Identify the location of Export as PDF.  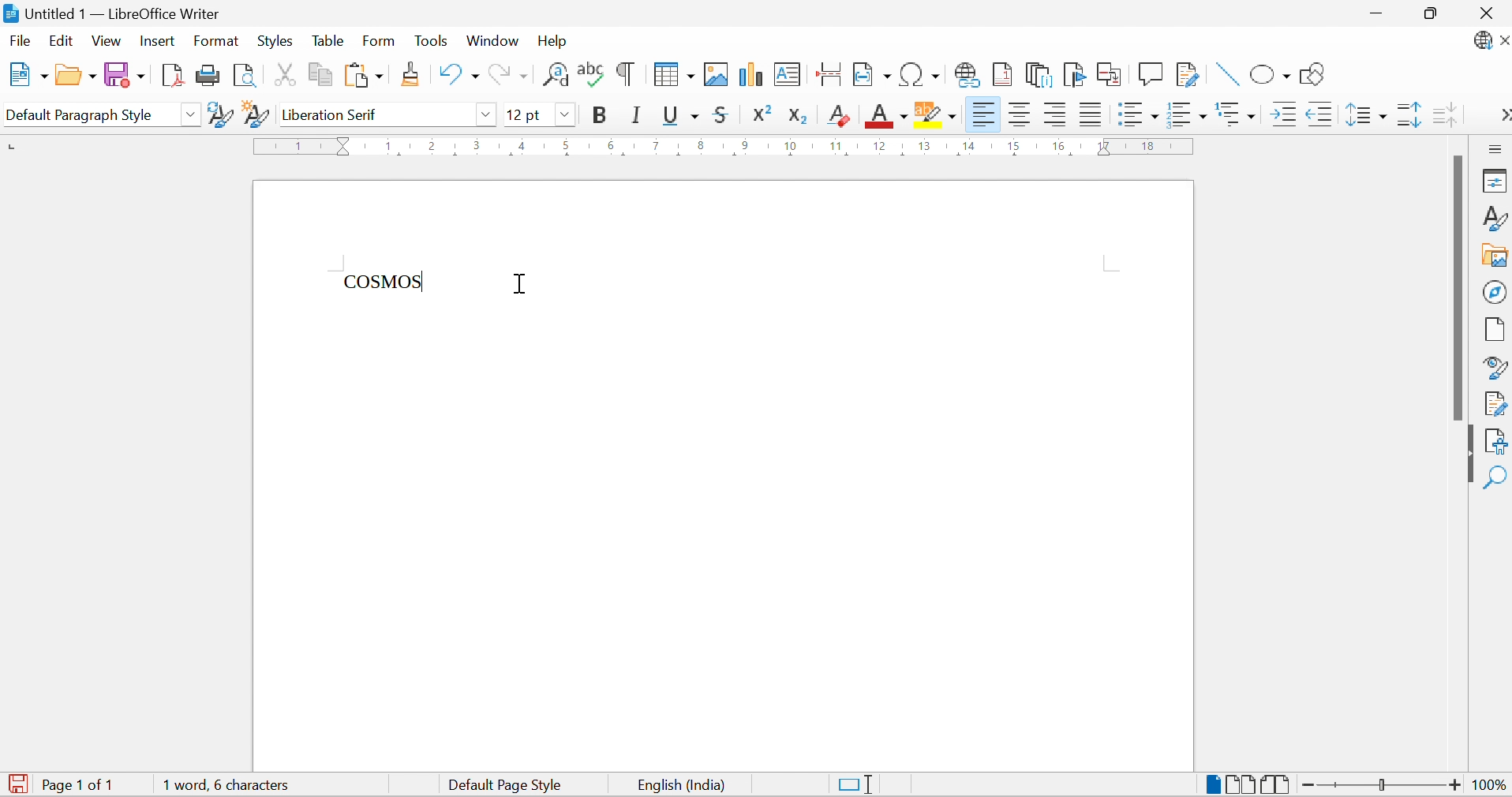
(170, 74).